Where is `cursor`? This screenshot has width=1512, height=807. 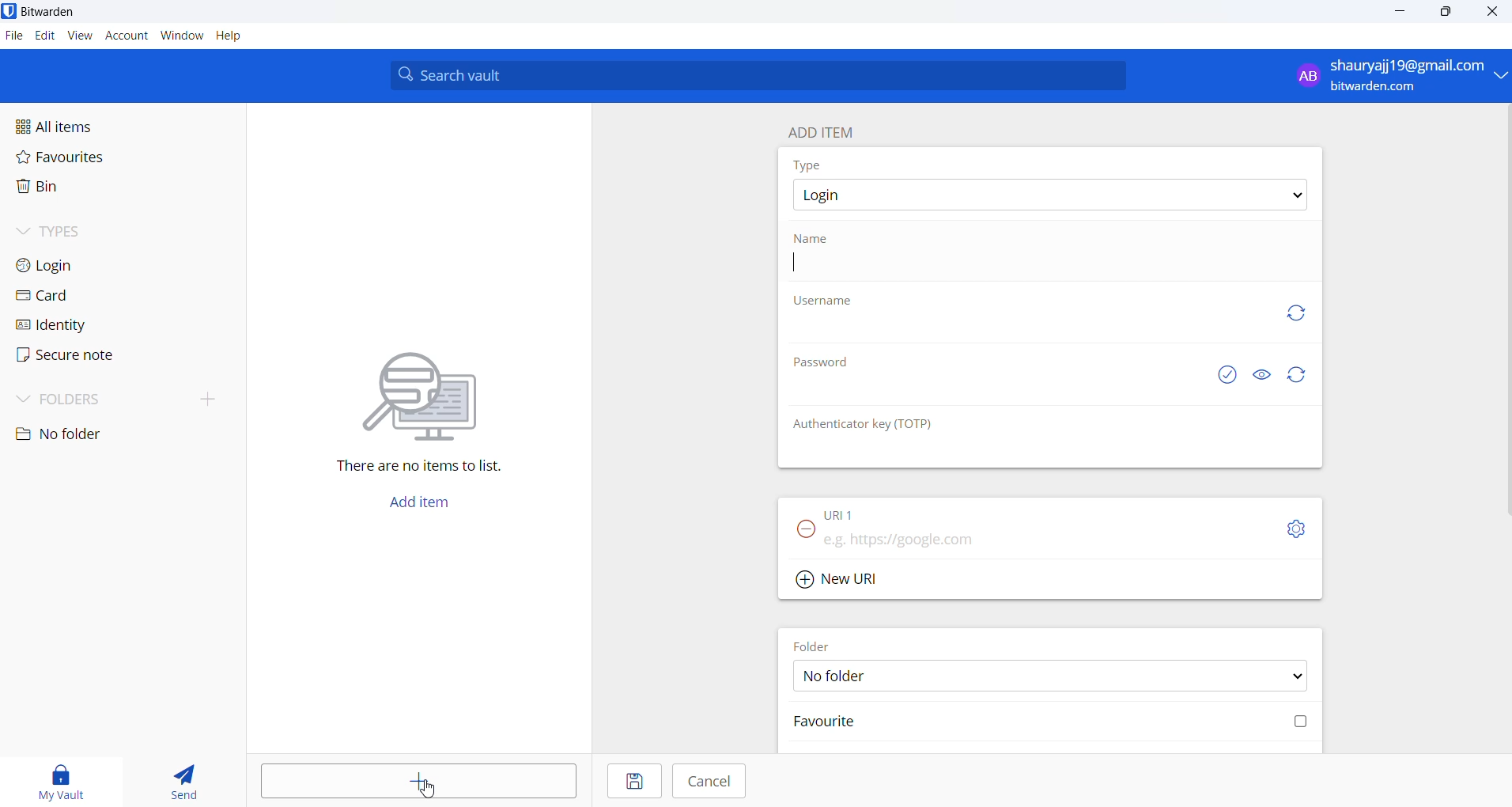
cursor is located at coordinates (432, 788).